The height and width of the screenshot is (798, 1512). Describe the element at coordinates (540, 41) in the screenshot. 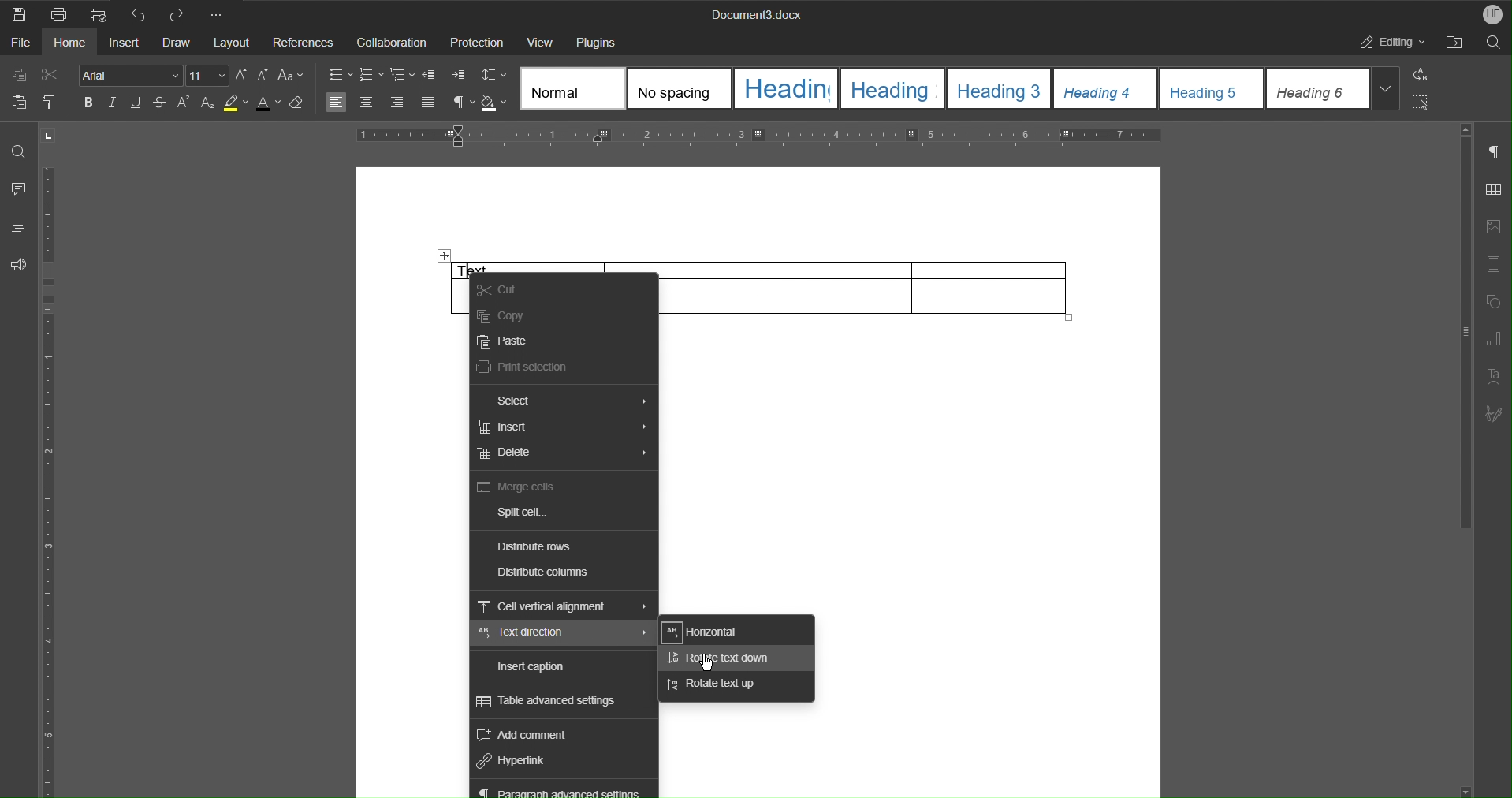

I see `View` at that location.